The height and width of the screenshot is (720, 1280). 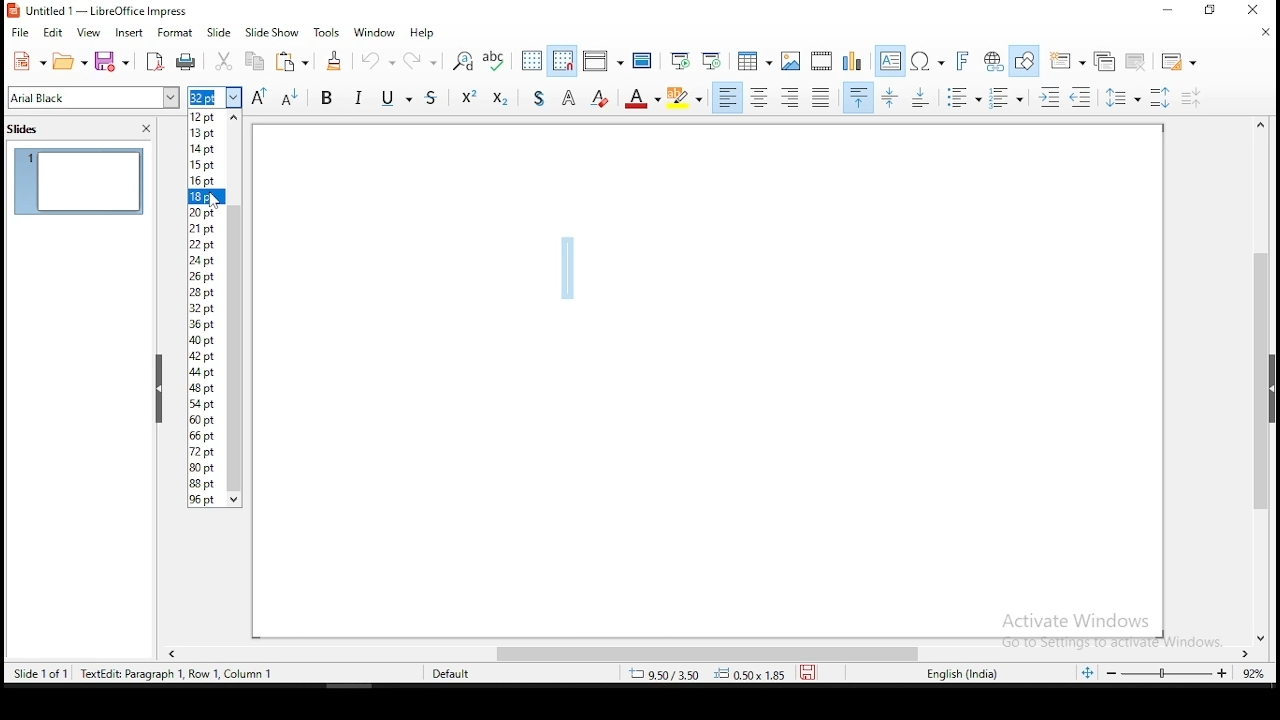 I want to click on icon and file name, so click(x=106, y=11).